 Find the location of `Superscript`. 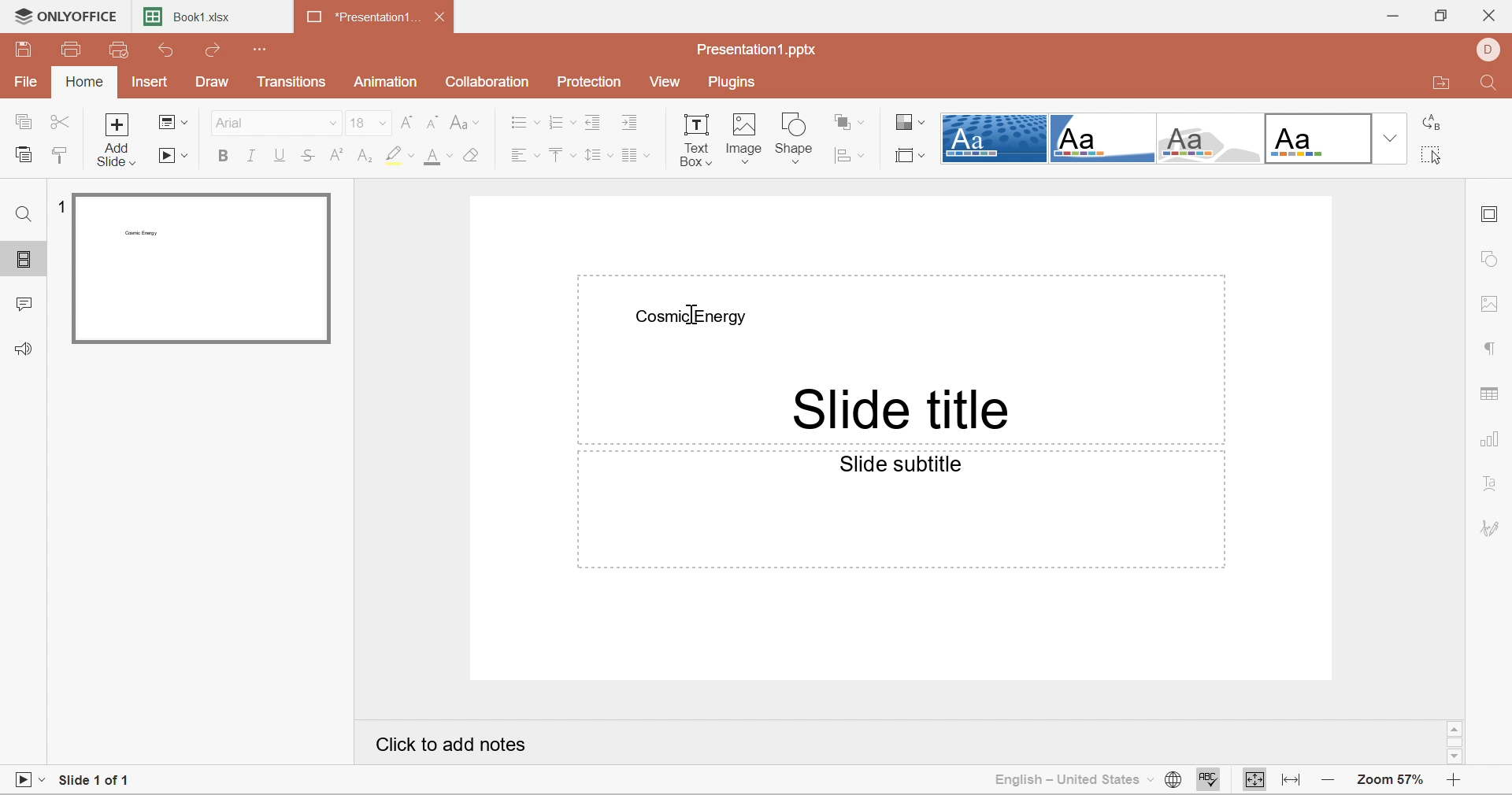

Superscript is located at coordinates (337, 156).